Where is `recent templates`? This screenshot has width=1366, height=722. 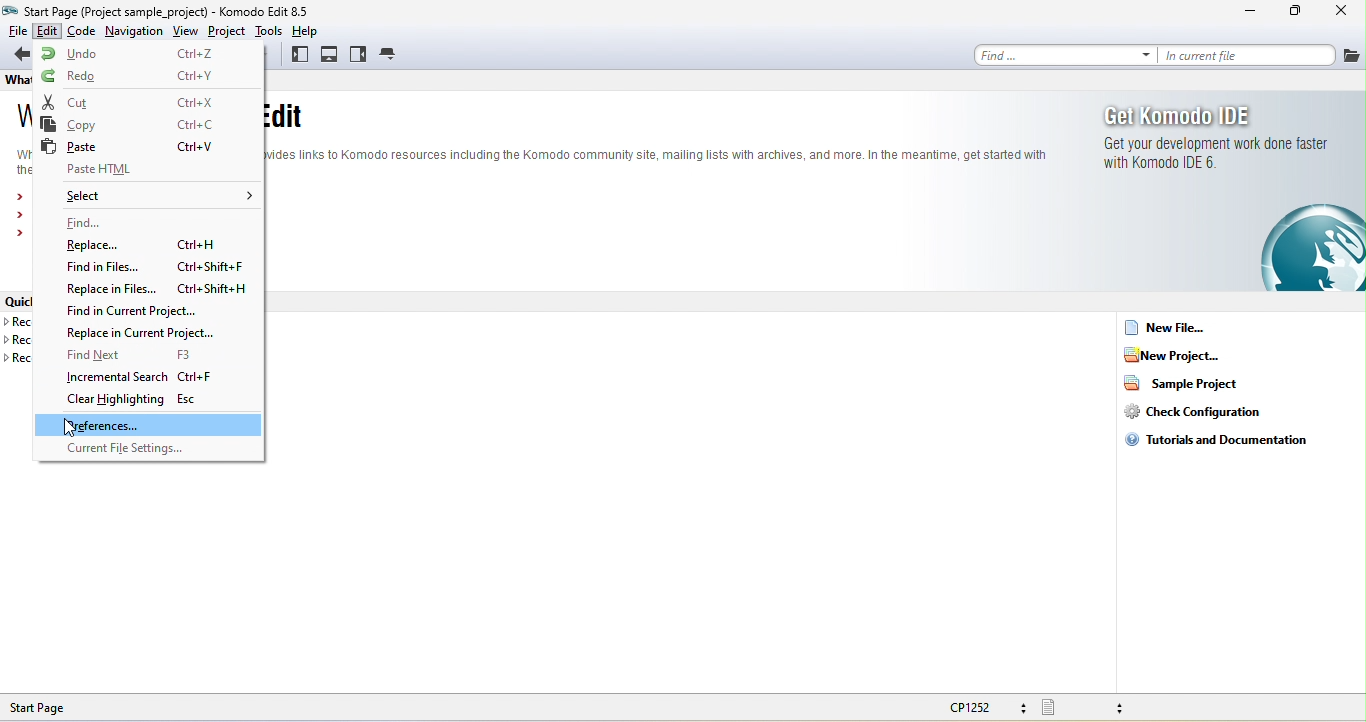 recent templates is located at coordinates (19, 360).